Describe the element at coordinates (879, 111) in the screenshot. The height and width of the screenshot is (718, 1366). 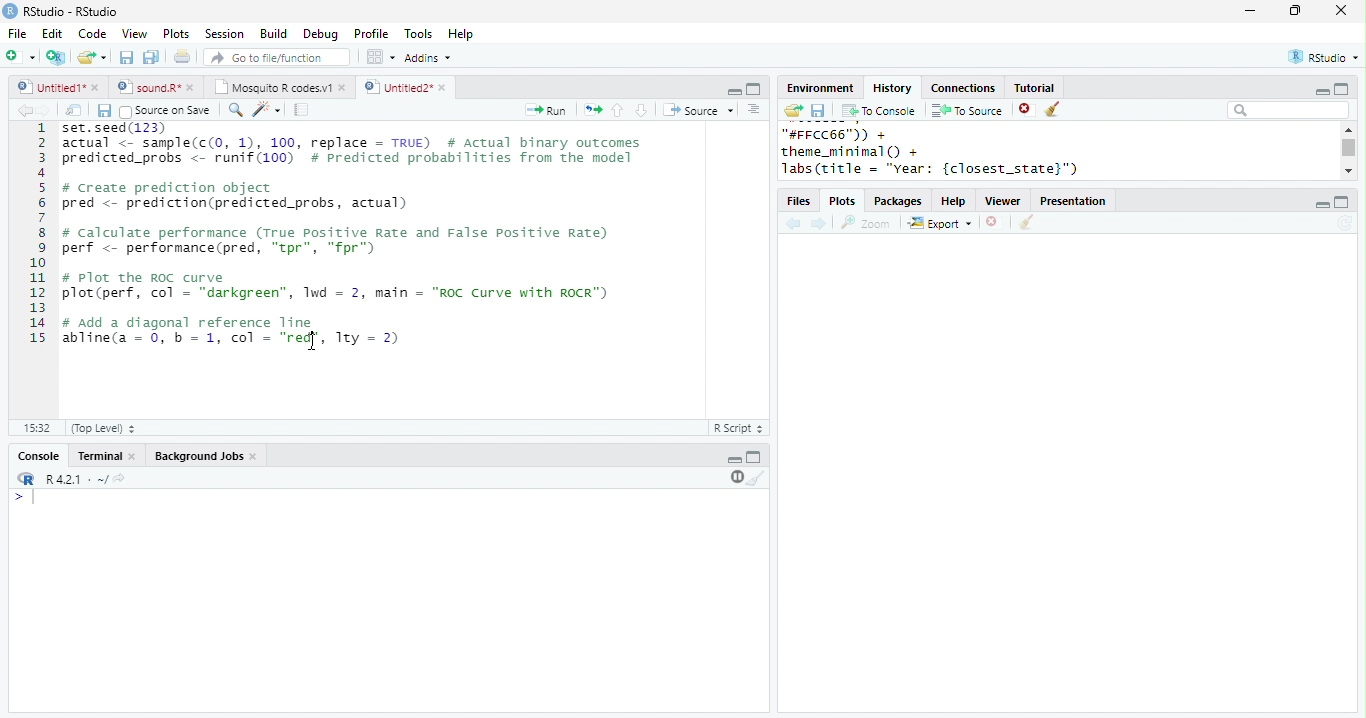
I see `To console` at that location.